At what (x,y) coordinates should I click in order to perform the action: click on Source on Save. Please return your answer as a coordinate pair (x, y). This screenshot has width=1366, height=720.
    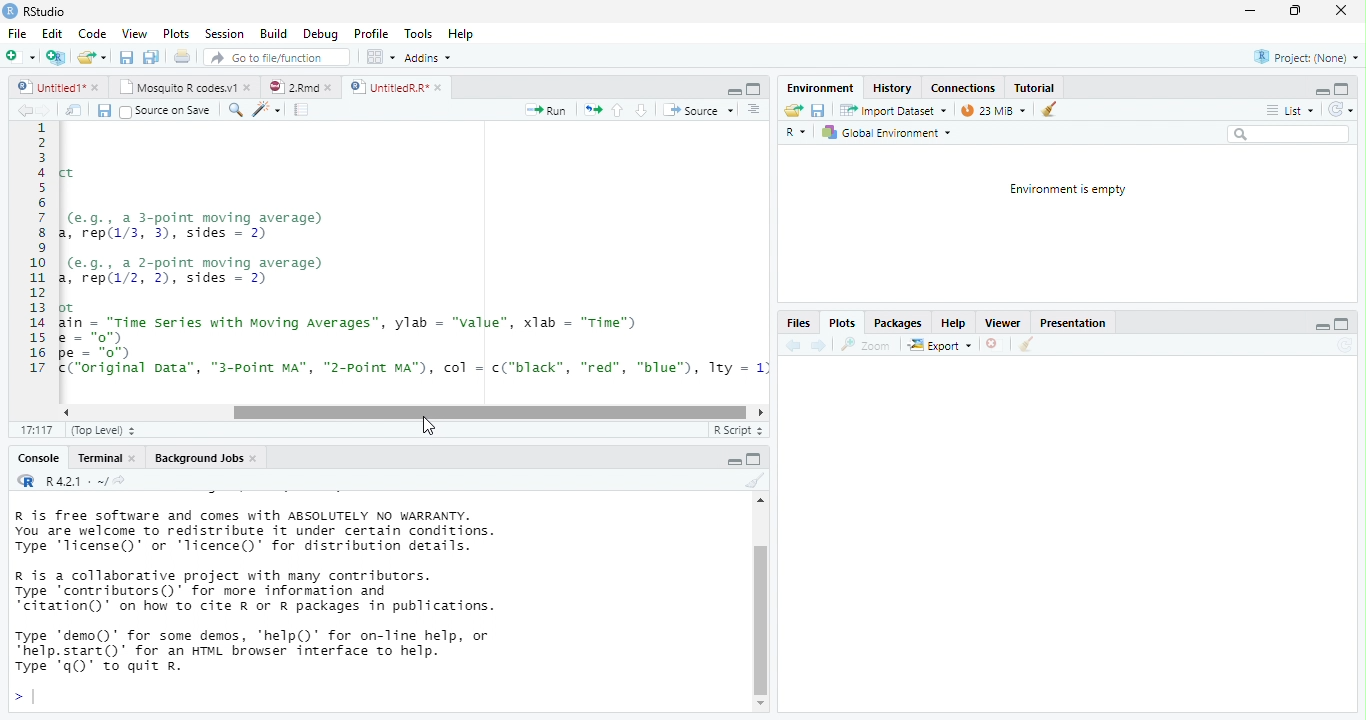
    Looking at the image, I should click on (164, 111).